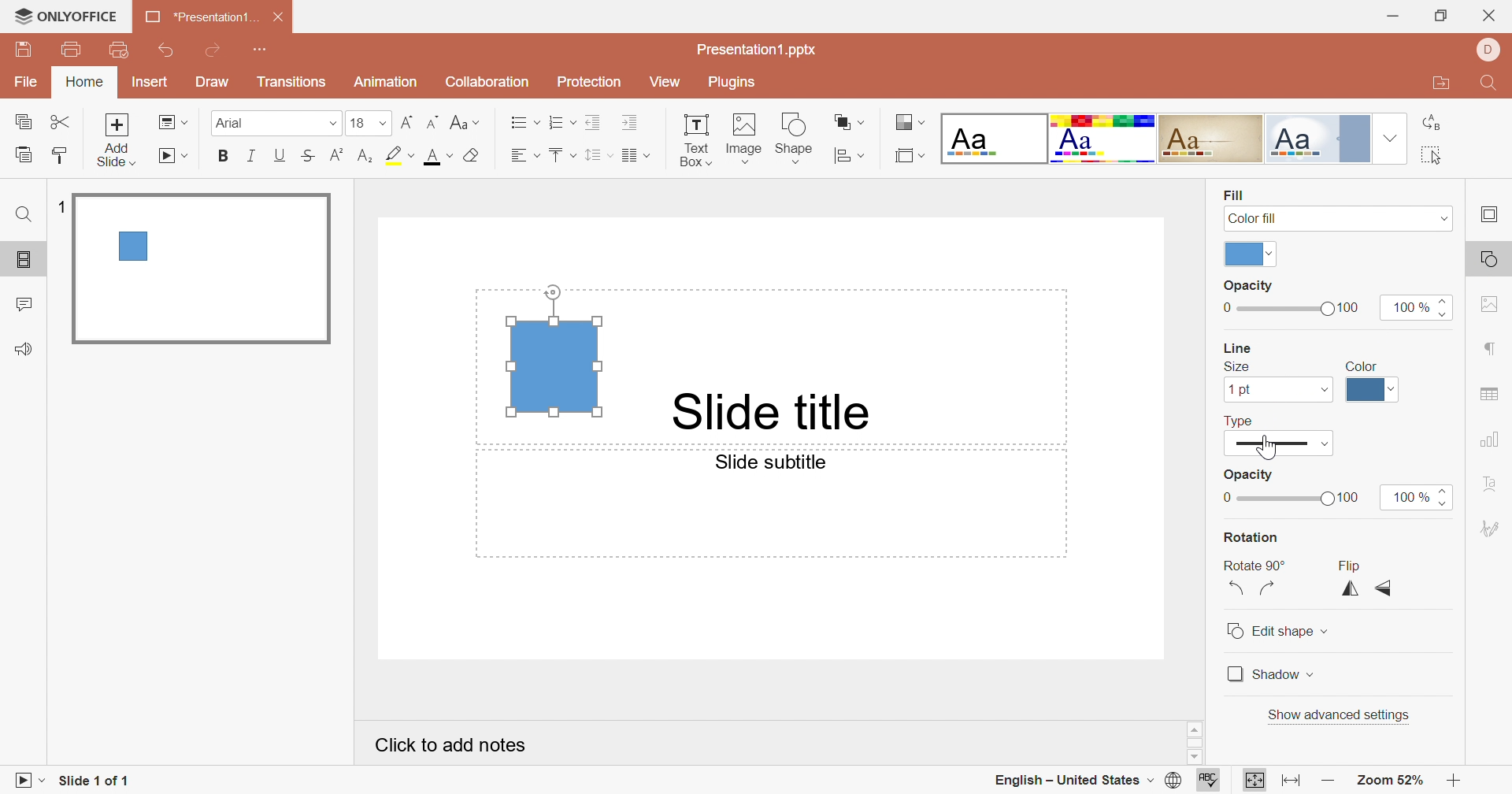 This screenshot has width=1512, height=794. Describe the element at coordinates (1455, 730) in the screenshot. I see `Scroll up` at that location.